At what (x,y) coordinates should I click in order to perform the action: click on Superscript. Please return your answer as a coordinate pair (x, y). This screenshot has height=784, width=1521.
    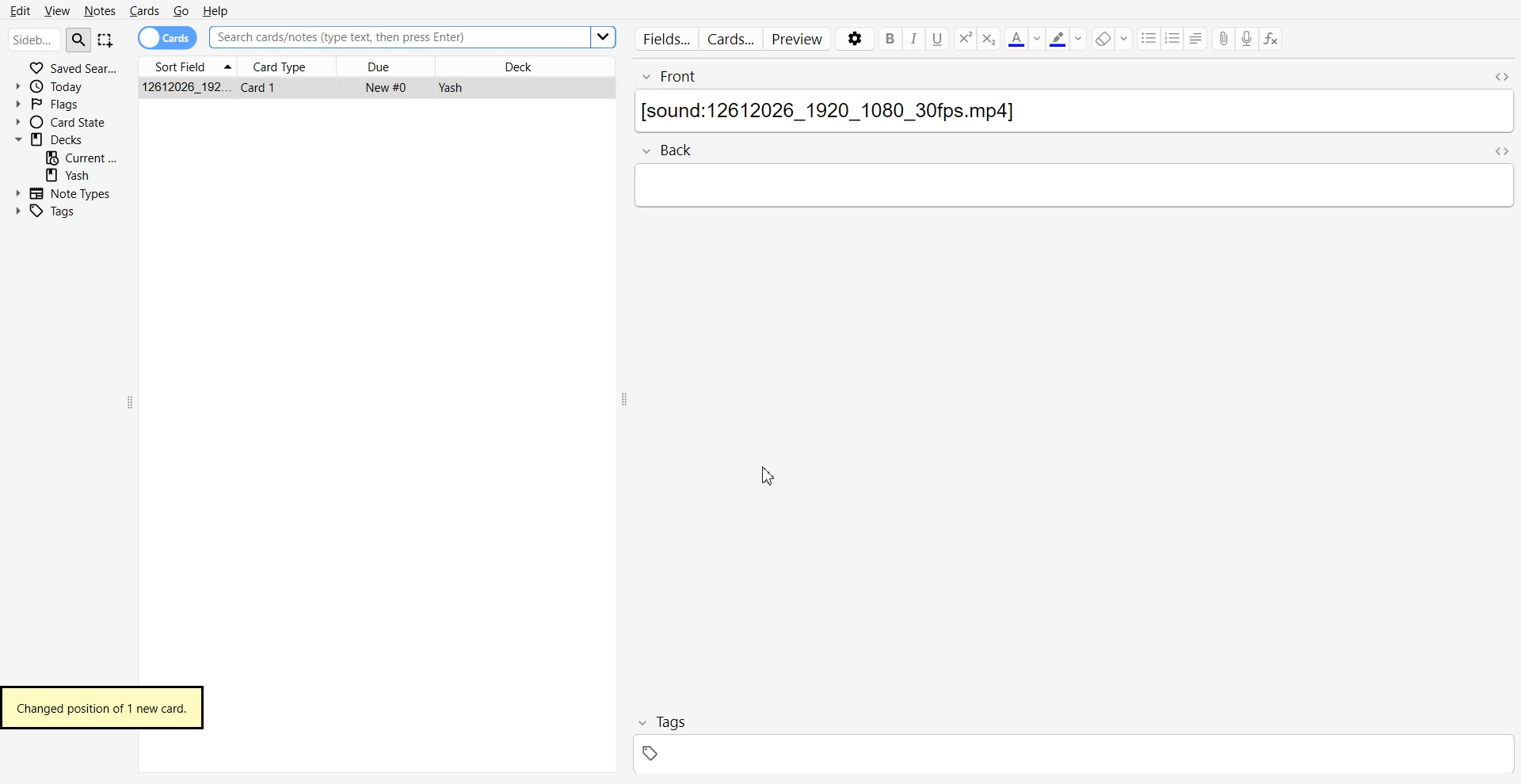
    Looking at the image, I should click on (990, 39).